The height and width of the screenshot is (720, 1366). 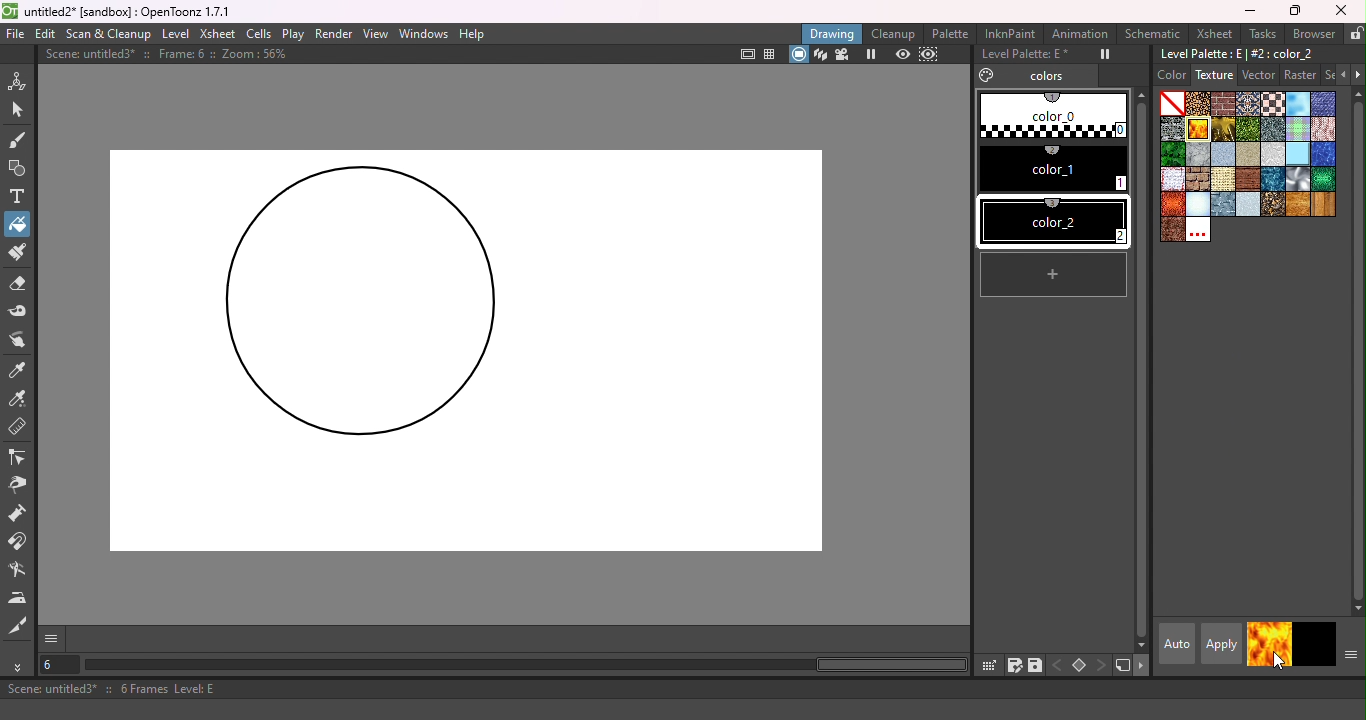 I want to click on next key, so click(x=1102, y=666).